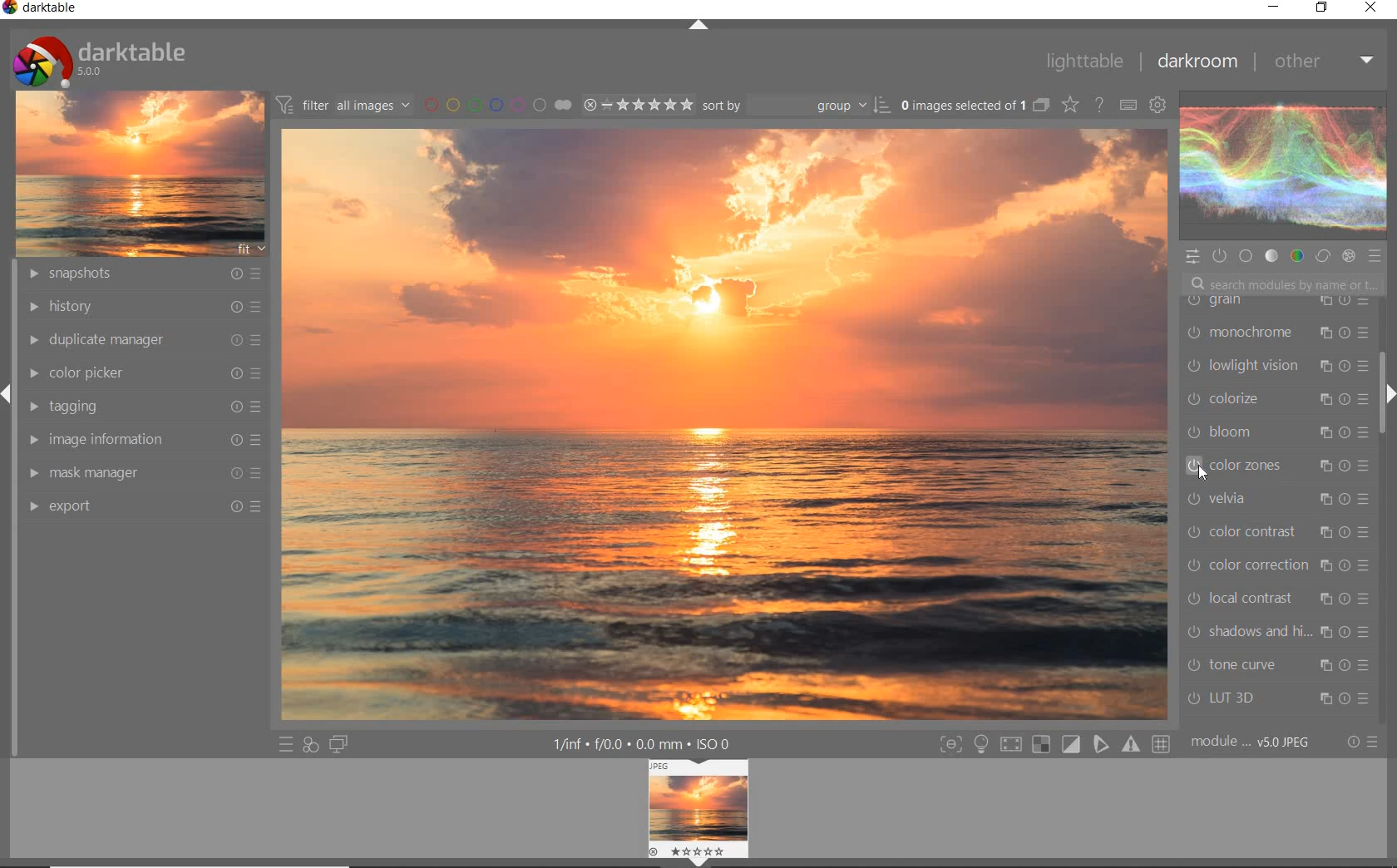 The width and height of the screenshot is (1397, 868). What do you see at coordinates (284, 745) in the screenshot?
I see `QUICK ACCESS TO PRESET` at bounding box center [284, 745].